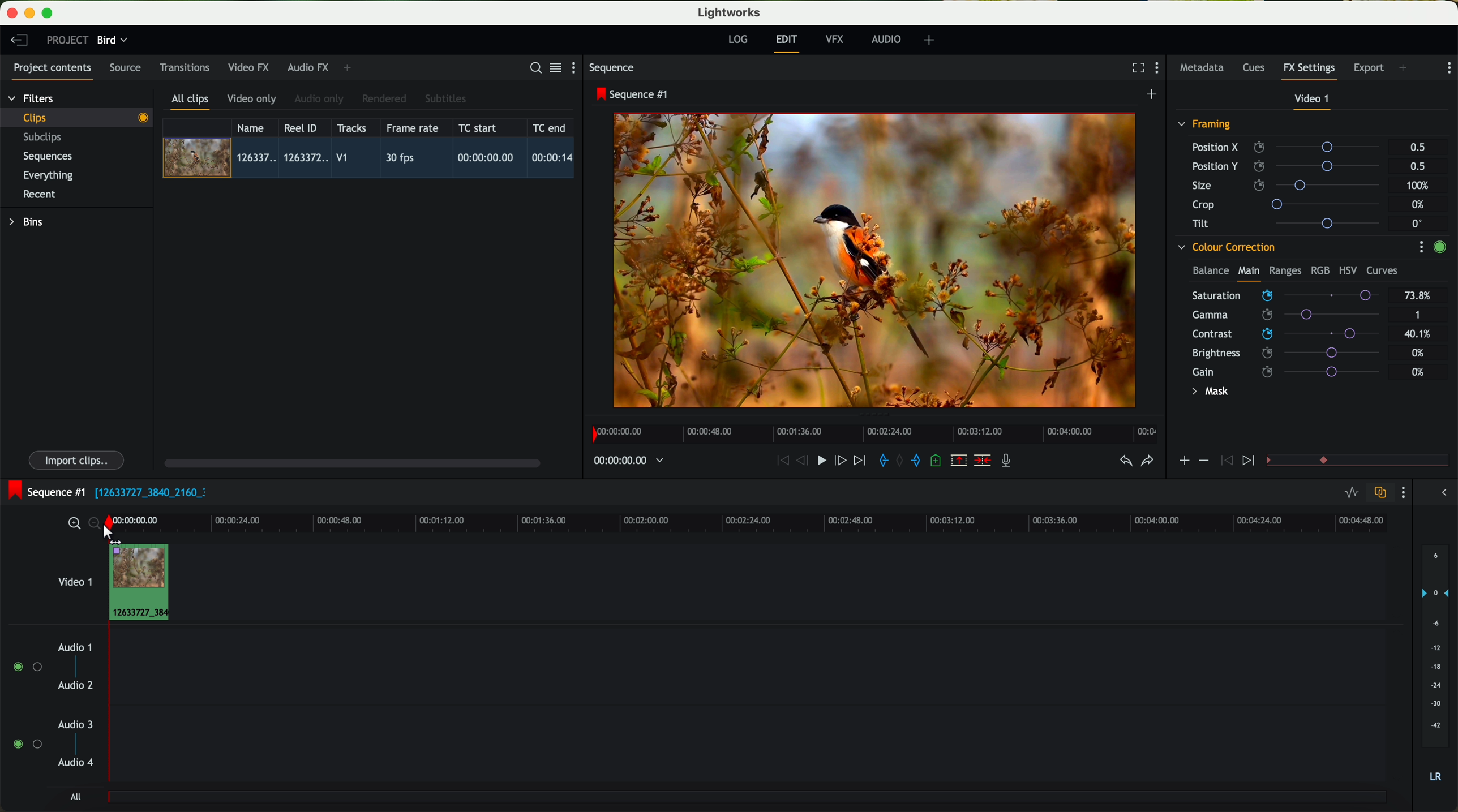 This screenshot has height=812, width=1458. What do you see at coordinates (1136, 67) in the screenshot?
I see `fullscreen` at bounding box center [1136, 67].